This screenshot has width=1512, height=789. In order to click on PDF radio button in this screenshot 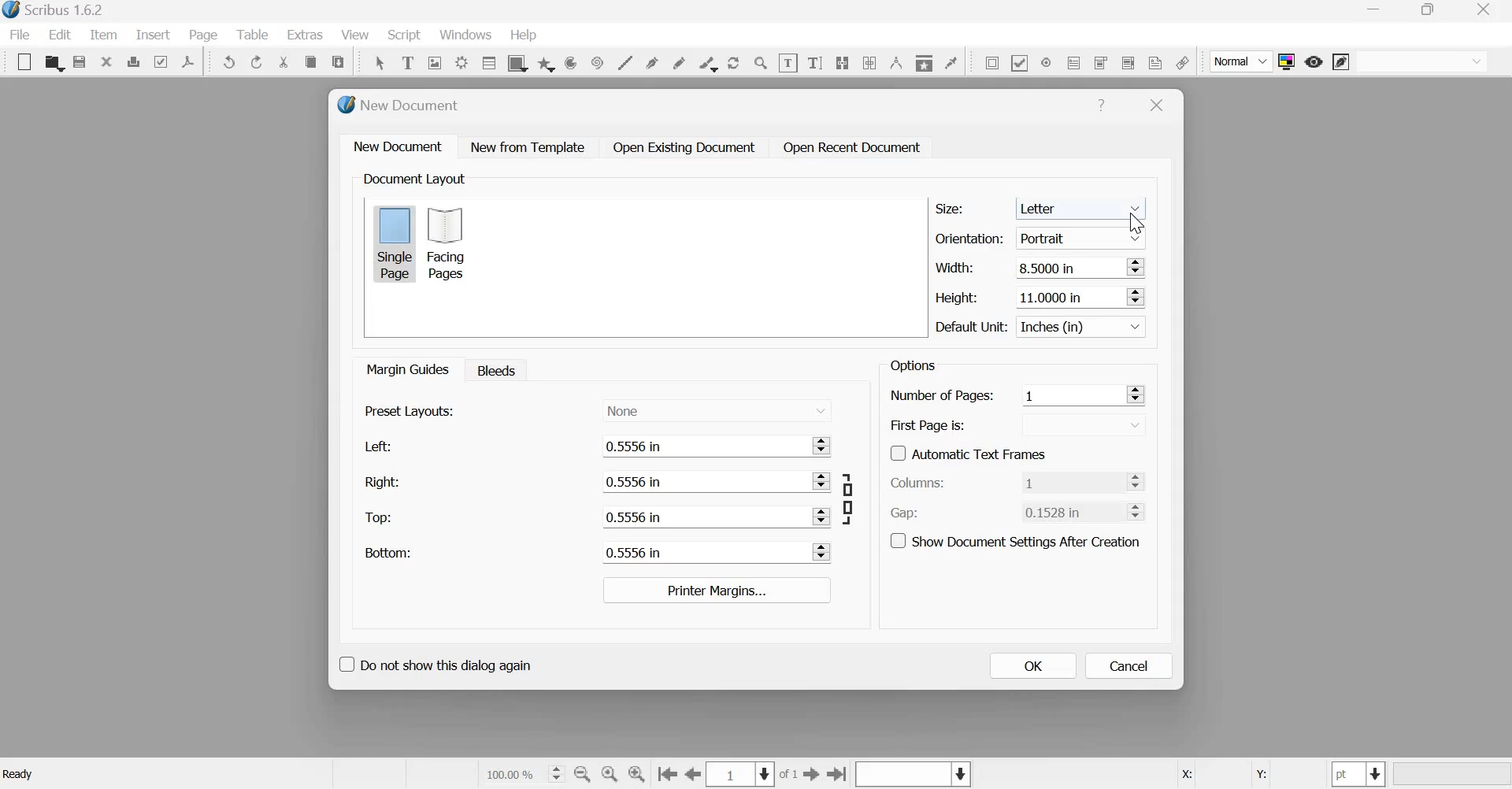, I will do `click(1045, 61)`.